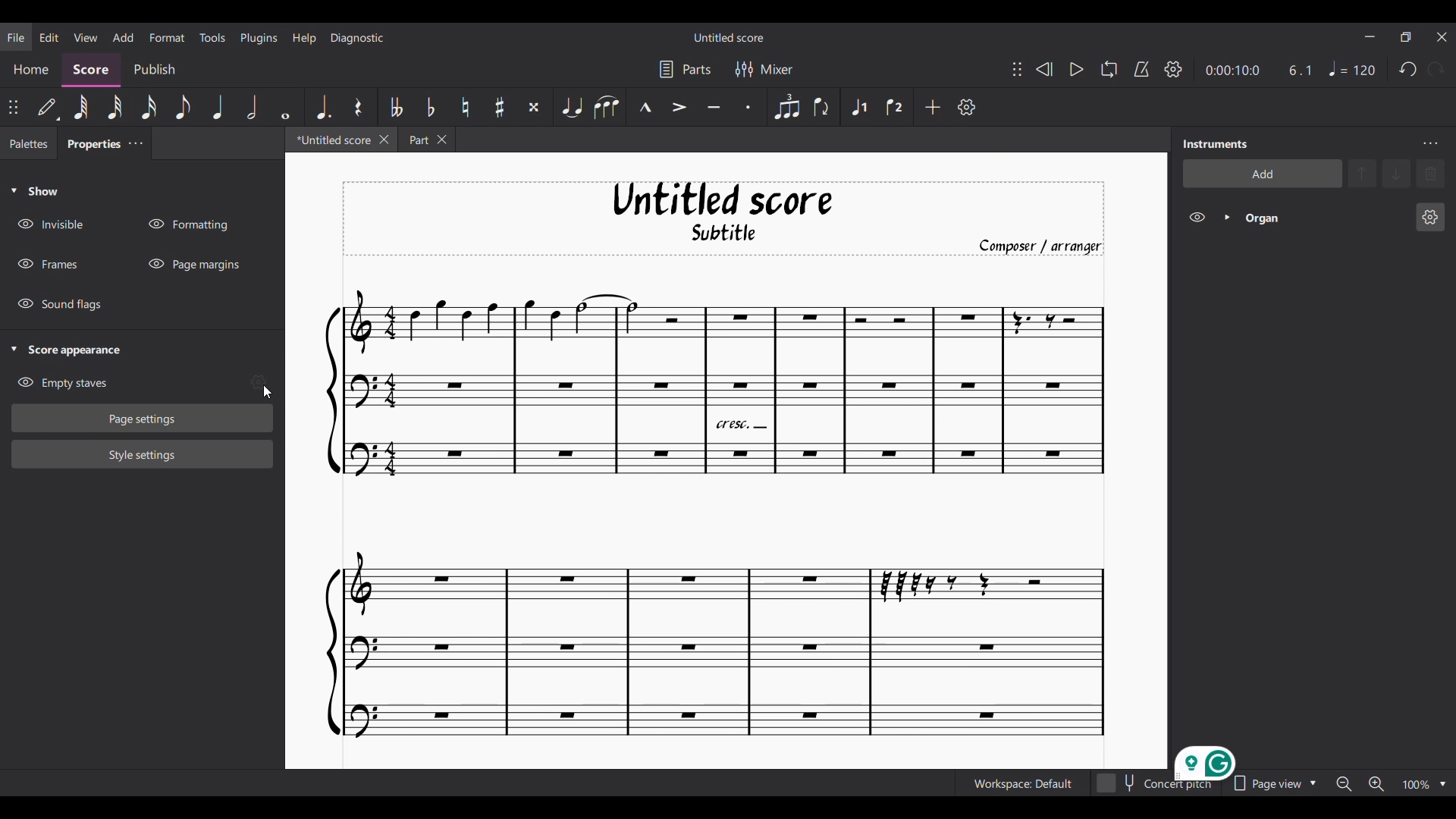 This screenshot has width=1456, height=819. Describe the element at coordinates (679, 107) in the screenshot. I see `Accent` at that location.